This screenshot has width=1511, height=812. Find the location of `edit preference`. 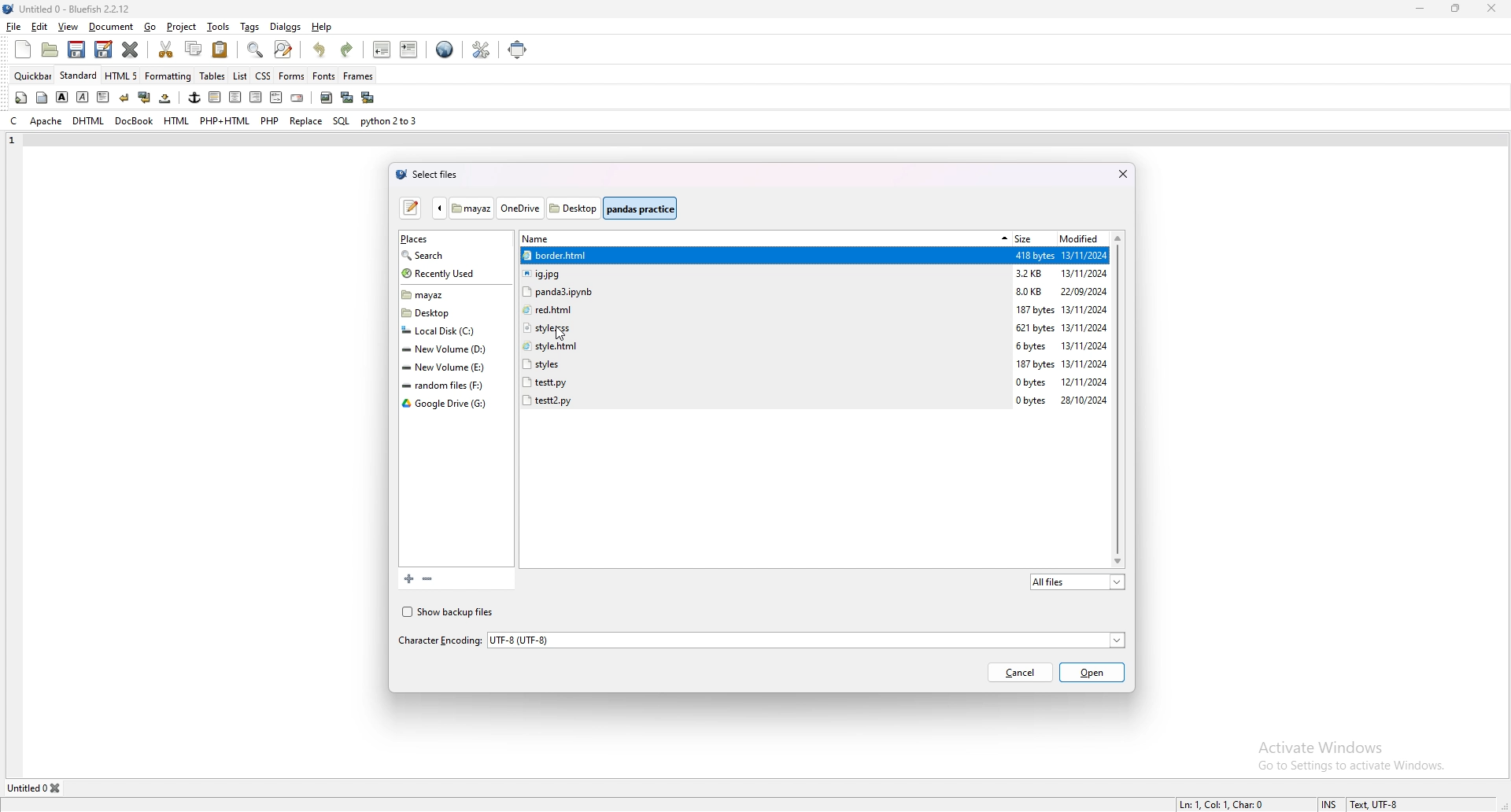

edit preference is located at coordinates (482, 49).